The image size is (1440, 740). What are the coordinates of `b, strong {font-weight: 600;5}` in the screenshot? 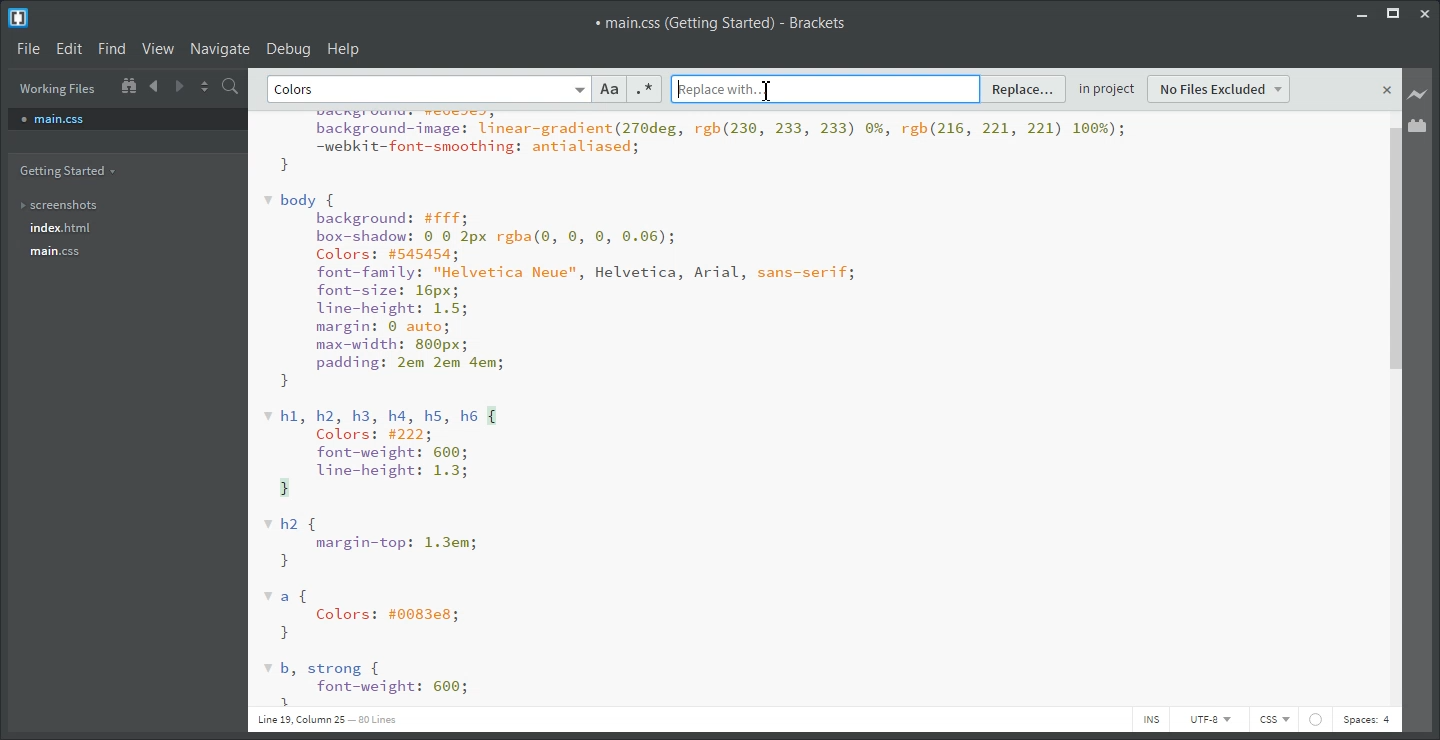 It's located at (366, 683).